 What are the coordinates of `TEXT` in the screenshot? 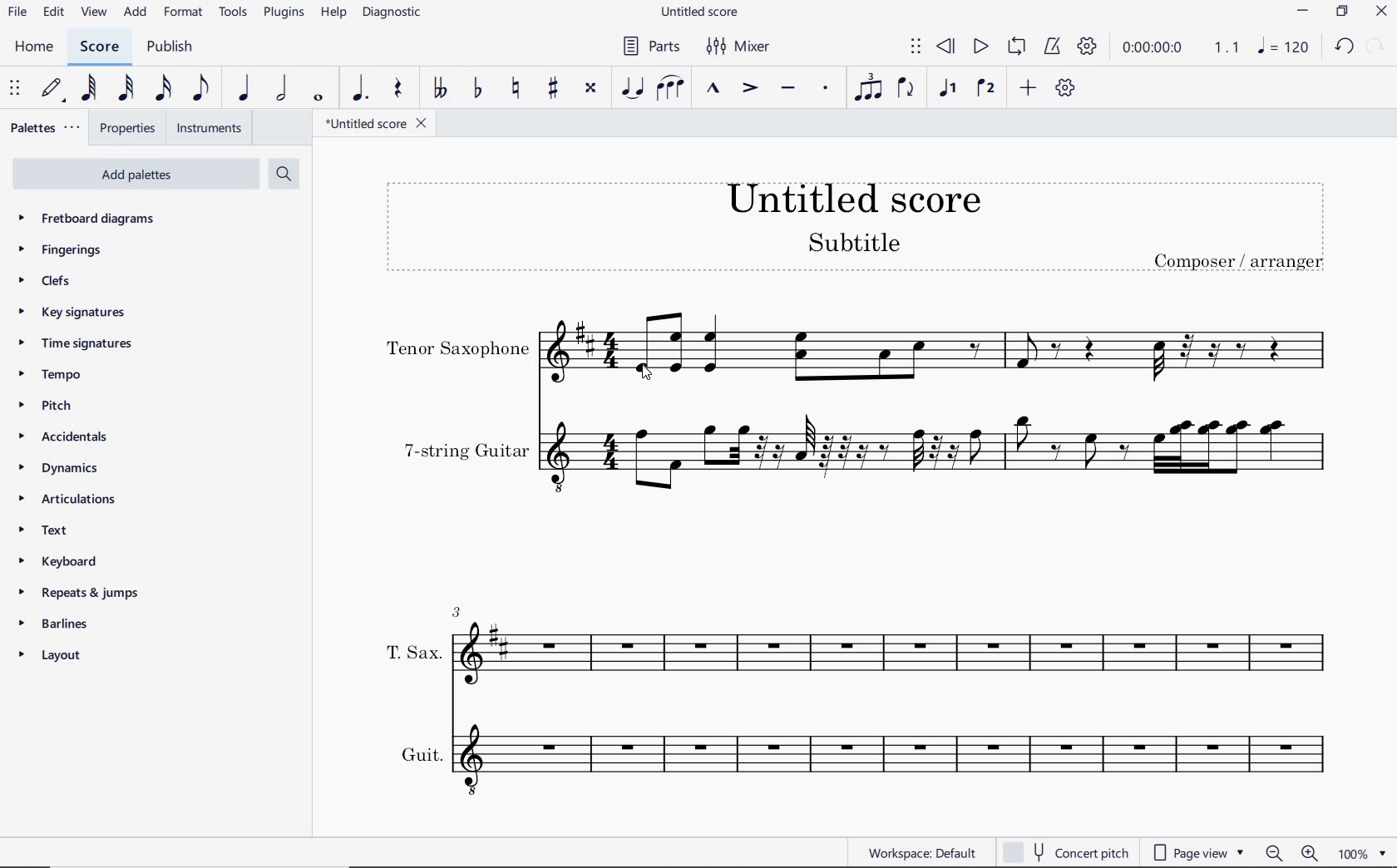 It's located at (39, 529).